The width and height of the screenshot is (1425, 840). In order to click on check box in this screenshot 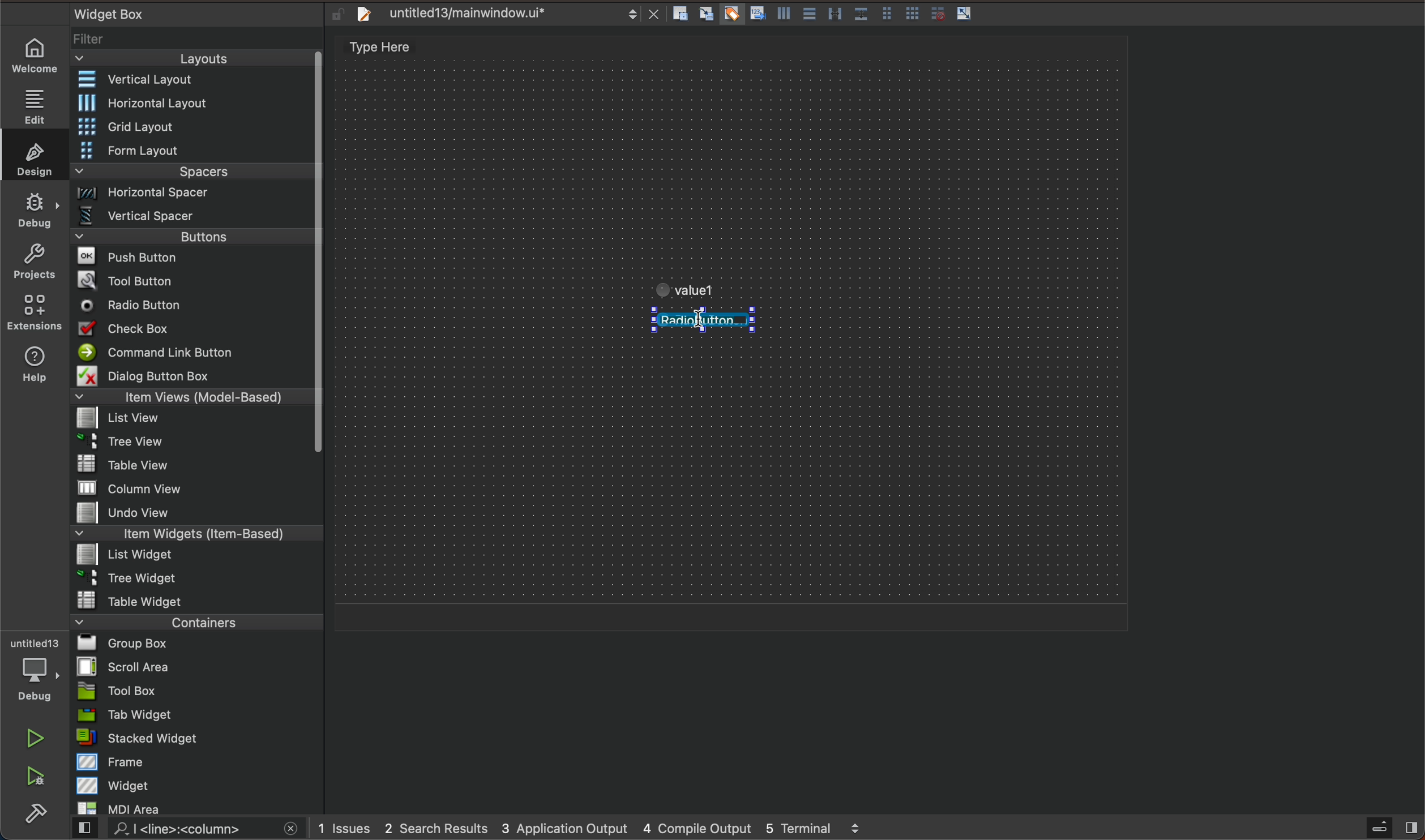, I will do `click(192, 331)`.